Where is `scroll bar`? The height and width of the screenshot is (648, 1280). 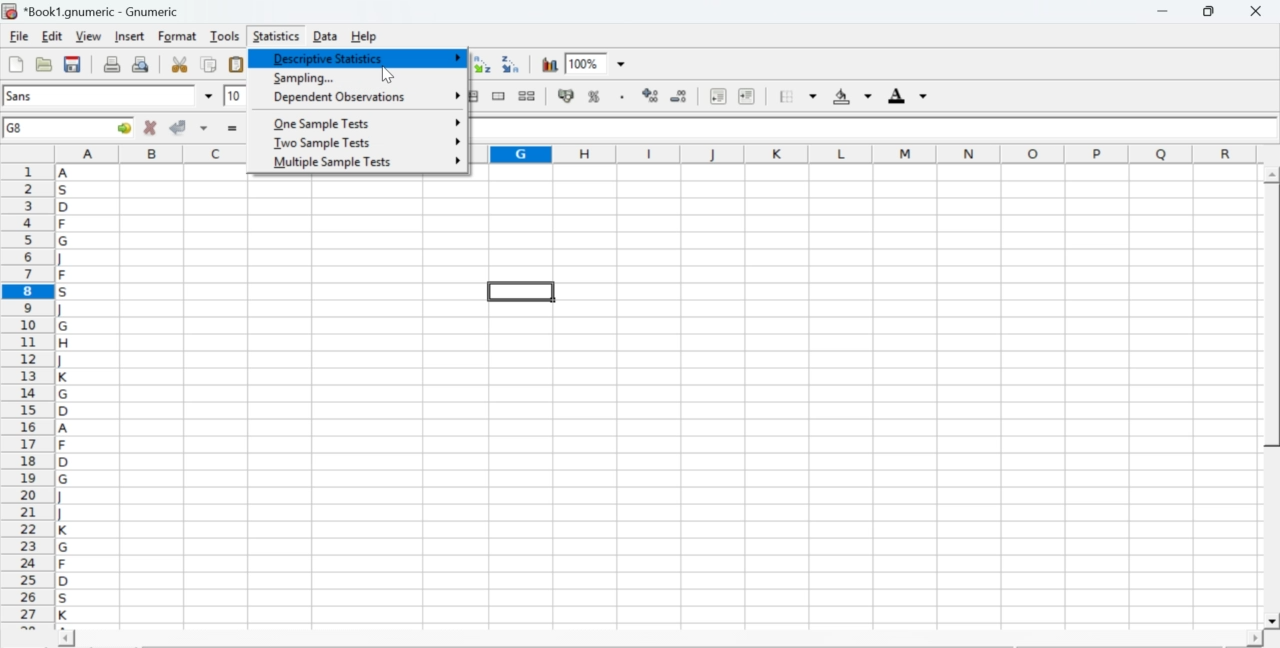
scroll bar is located at coordinates (660, 640).